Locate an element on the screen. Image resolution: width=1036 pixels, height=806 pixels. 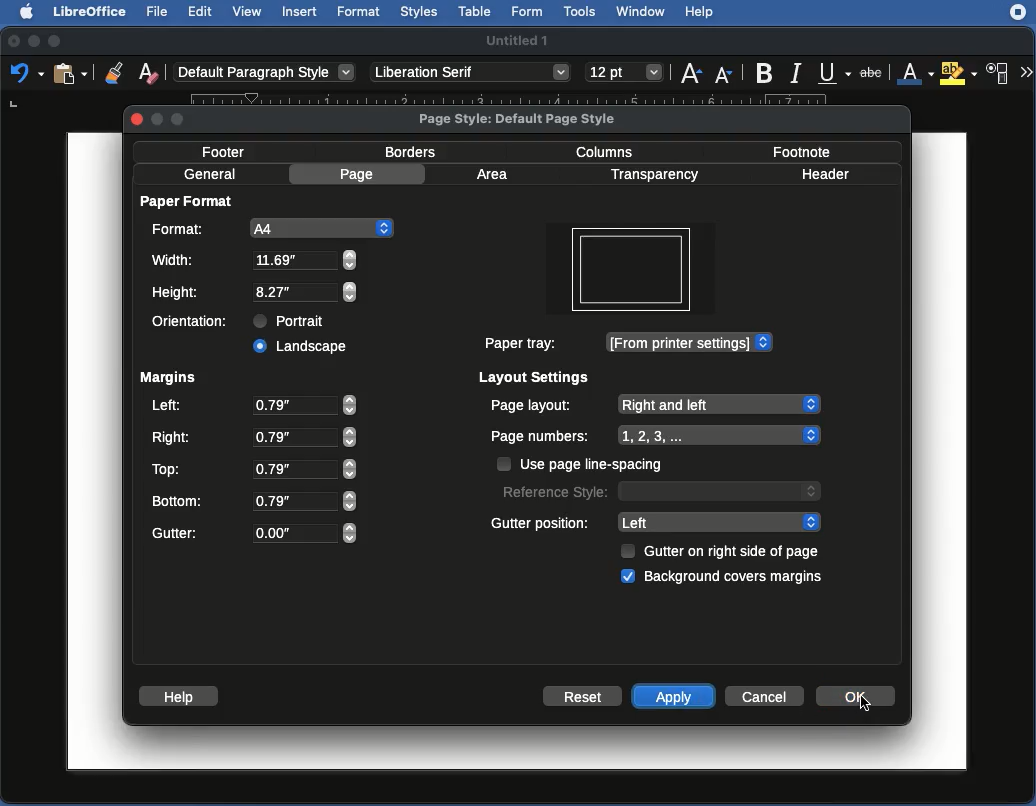
Orientation  is located at coordinates (192, 323).